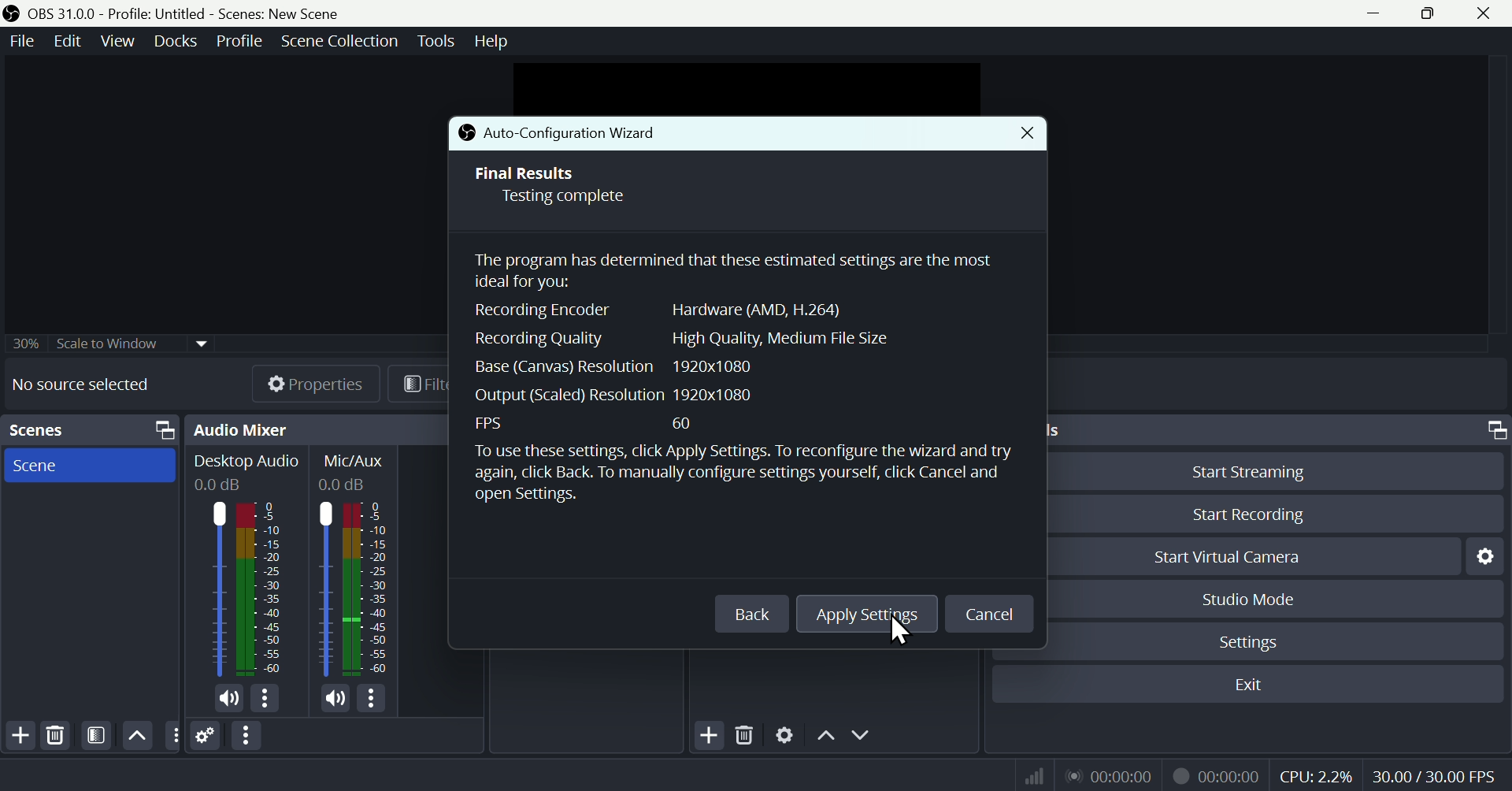 The width and height of the screenshot is (1512, 791). I want to click on help, so click(494, 39).